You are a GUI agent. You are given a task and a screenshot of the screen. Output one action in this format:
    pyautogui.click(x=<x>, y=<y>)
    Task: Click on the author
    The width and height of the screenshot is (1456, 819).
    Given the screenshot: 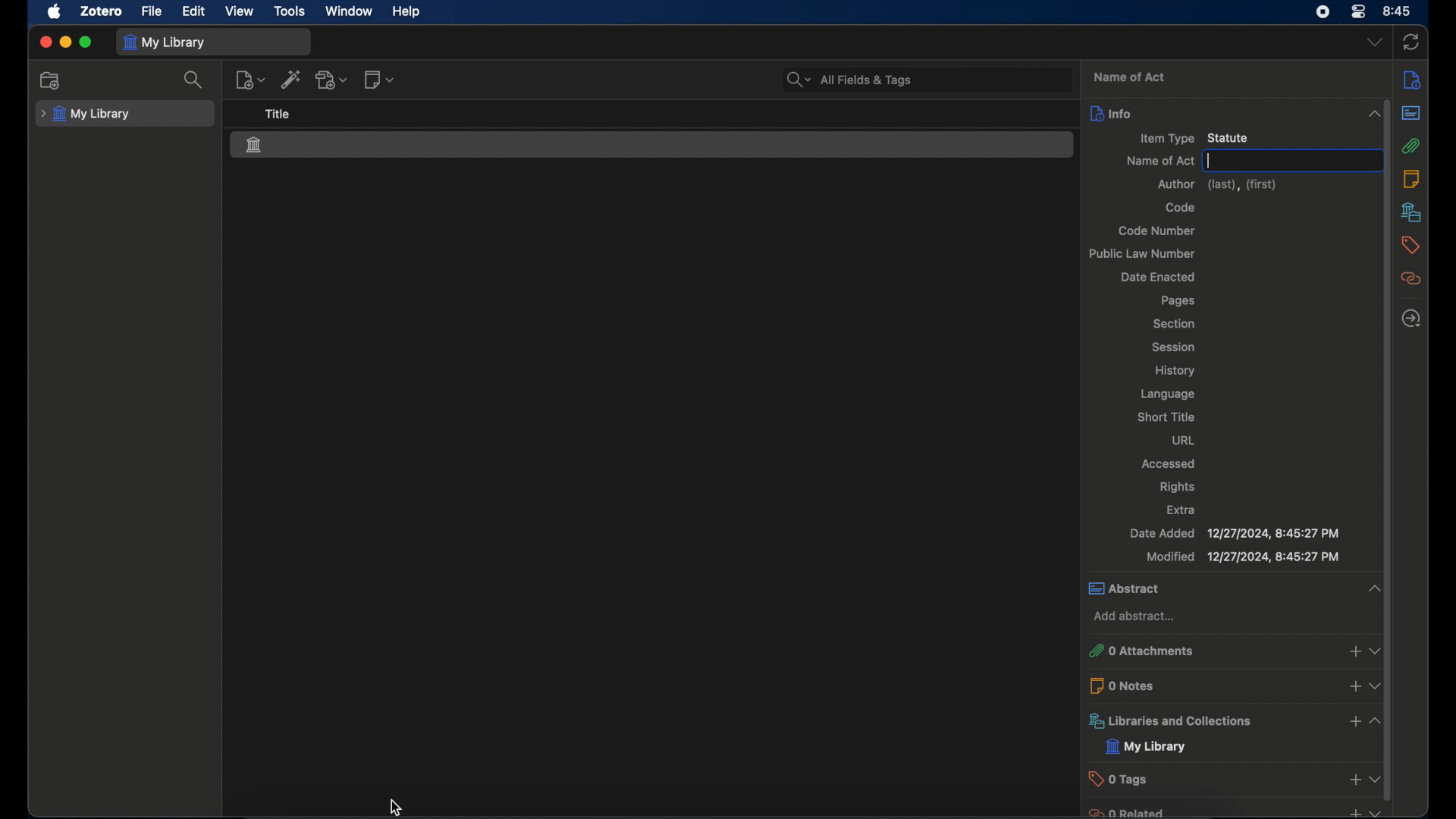 What is the action you would take?
    pyautogui.click(x=1216, y=185)
    